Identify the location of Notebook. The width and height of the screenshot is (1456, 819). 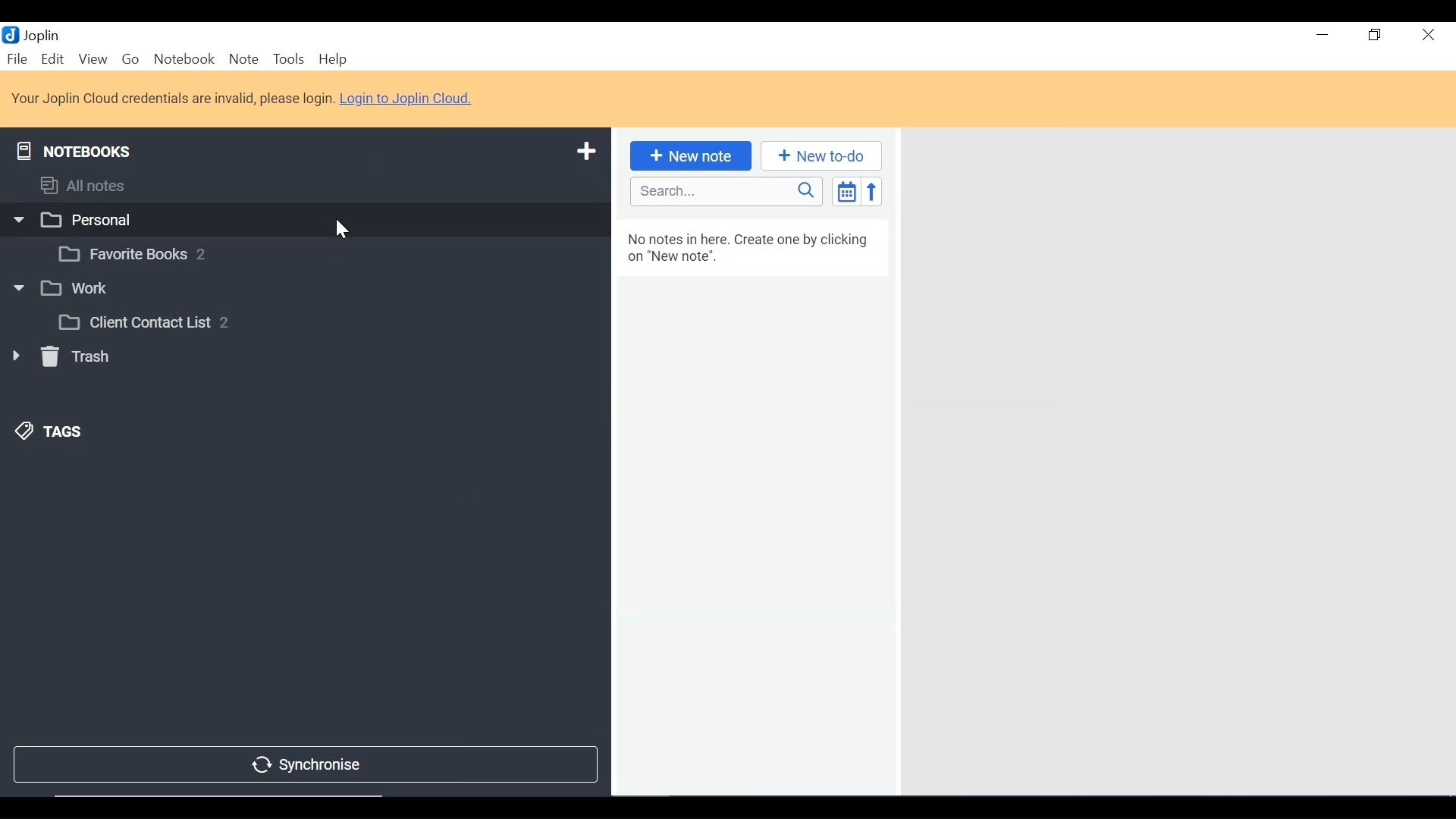
(320, 252).